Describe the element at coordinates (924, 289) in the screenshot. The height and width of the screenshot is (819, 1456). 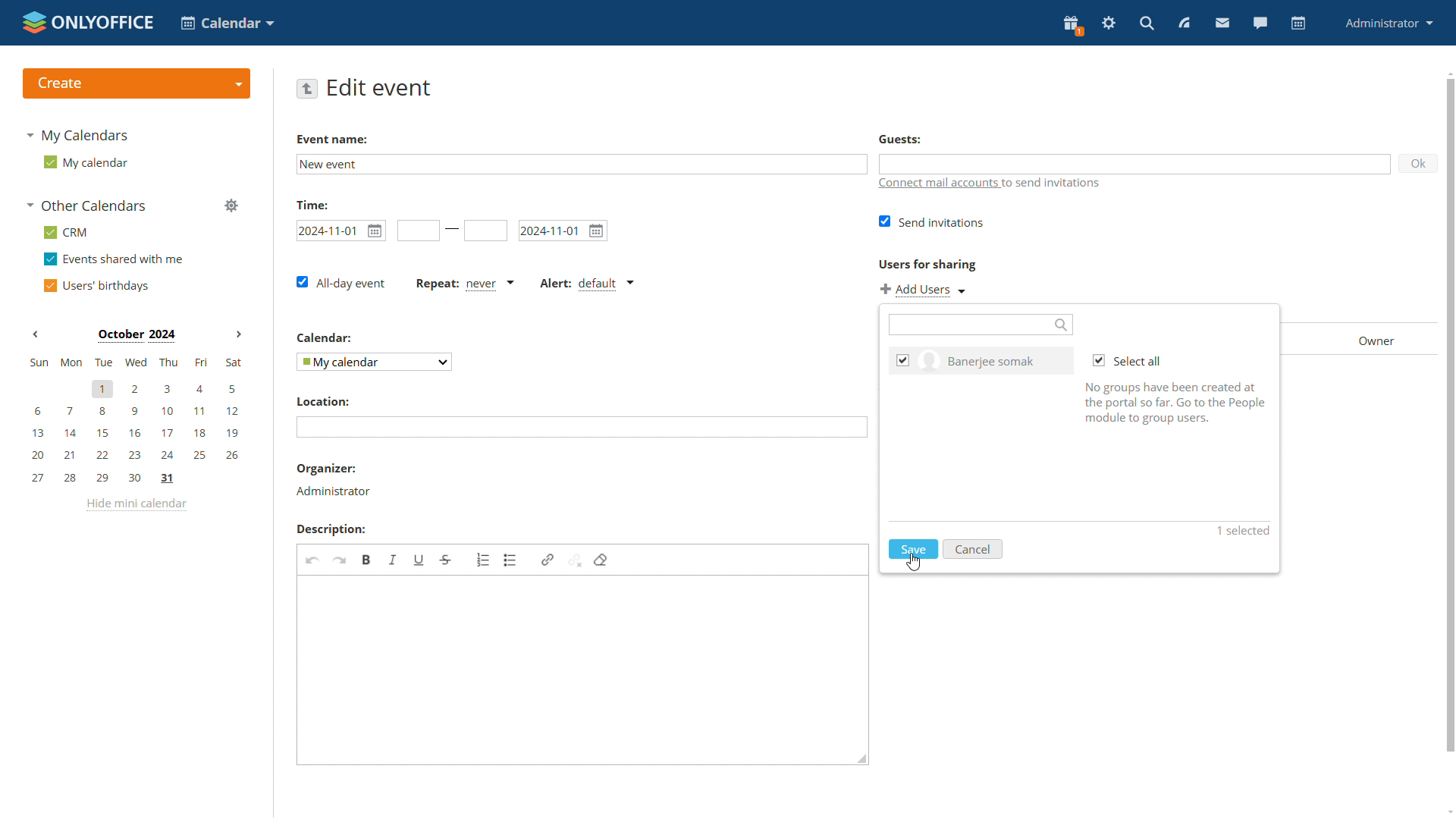
I see `add users` at that location.